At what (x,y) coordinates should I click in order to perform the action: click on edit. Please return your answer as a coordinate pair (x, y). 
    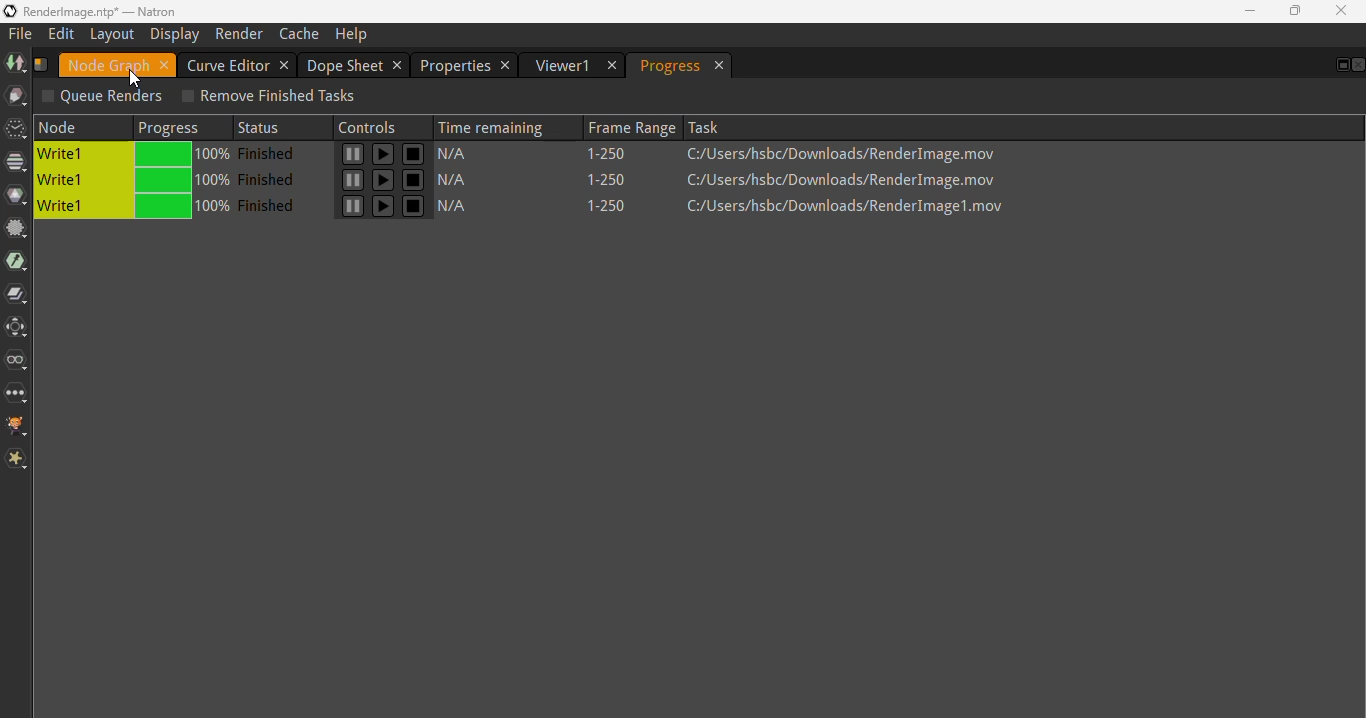
    Looking at the image, I should click on (61, 33).